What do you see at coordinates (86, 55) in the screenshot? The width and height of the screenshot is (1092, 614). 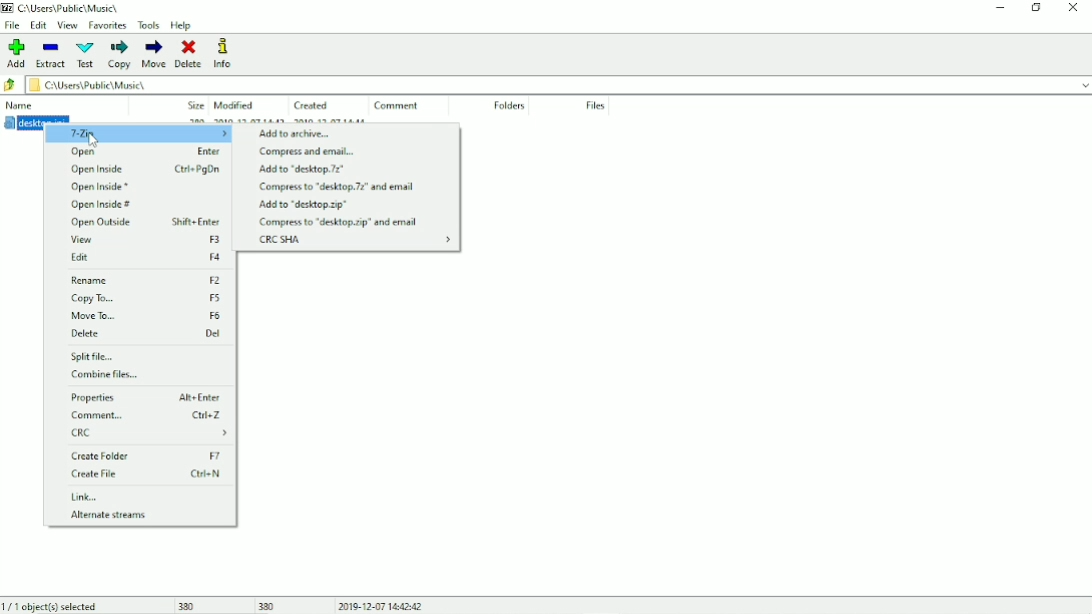 I see `Test` at bounding box center [86, 55].